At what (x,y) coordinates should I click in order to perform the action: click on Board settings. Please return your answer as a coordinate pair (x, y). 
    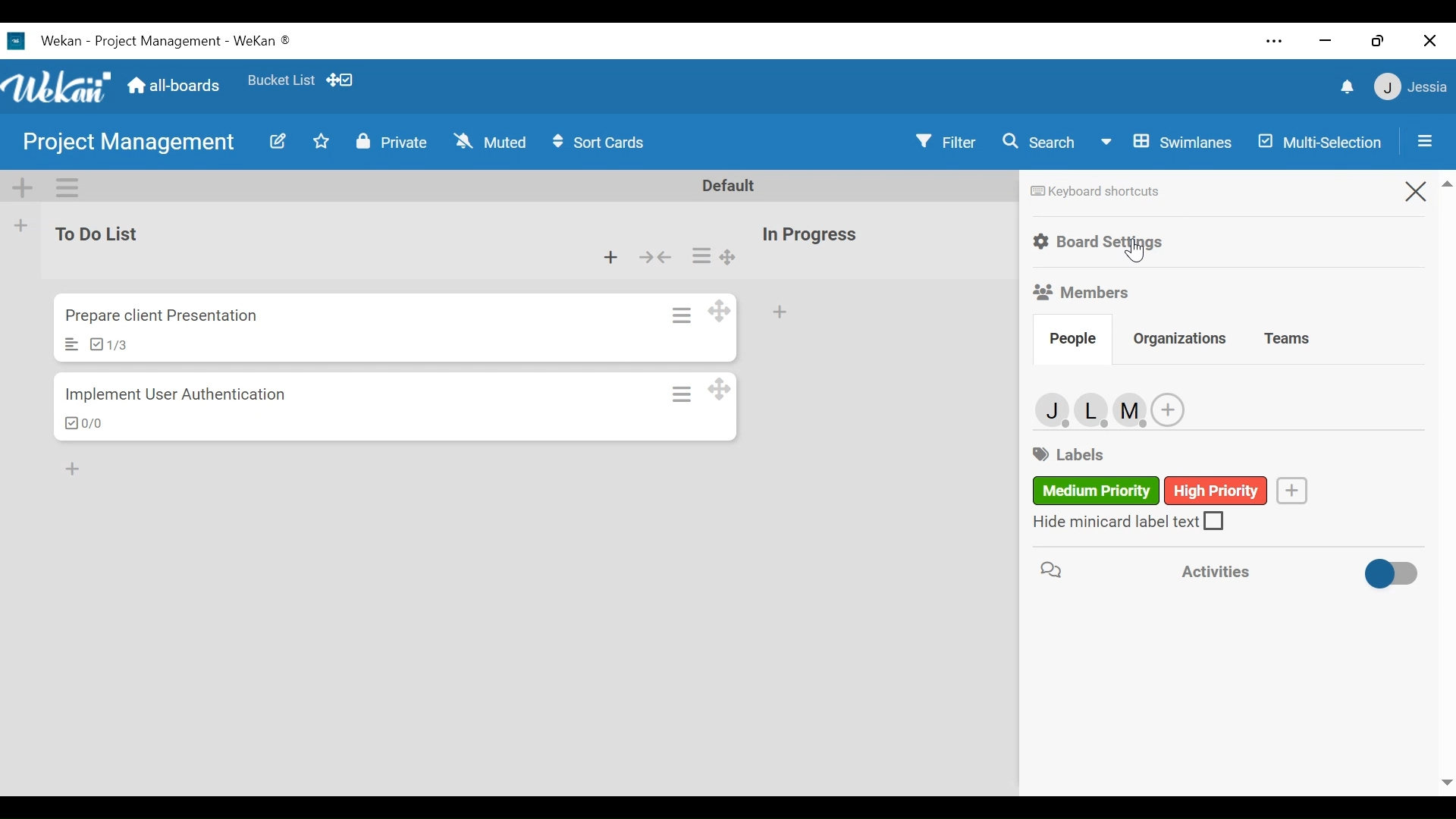
    Looking at the image, I should click on (1102, 242).